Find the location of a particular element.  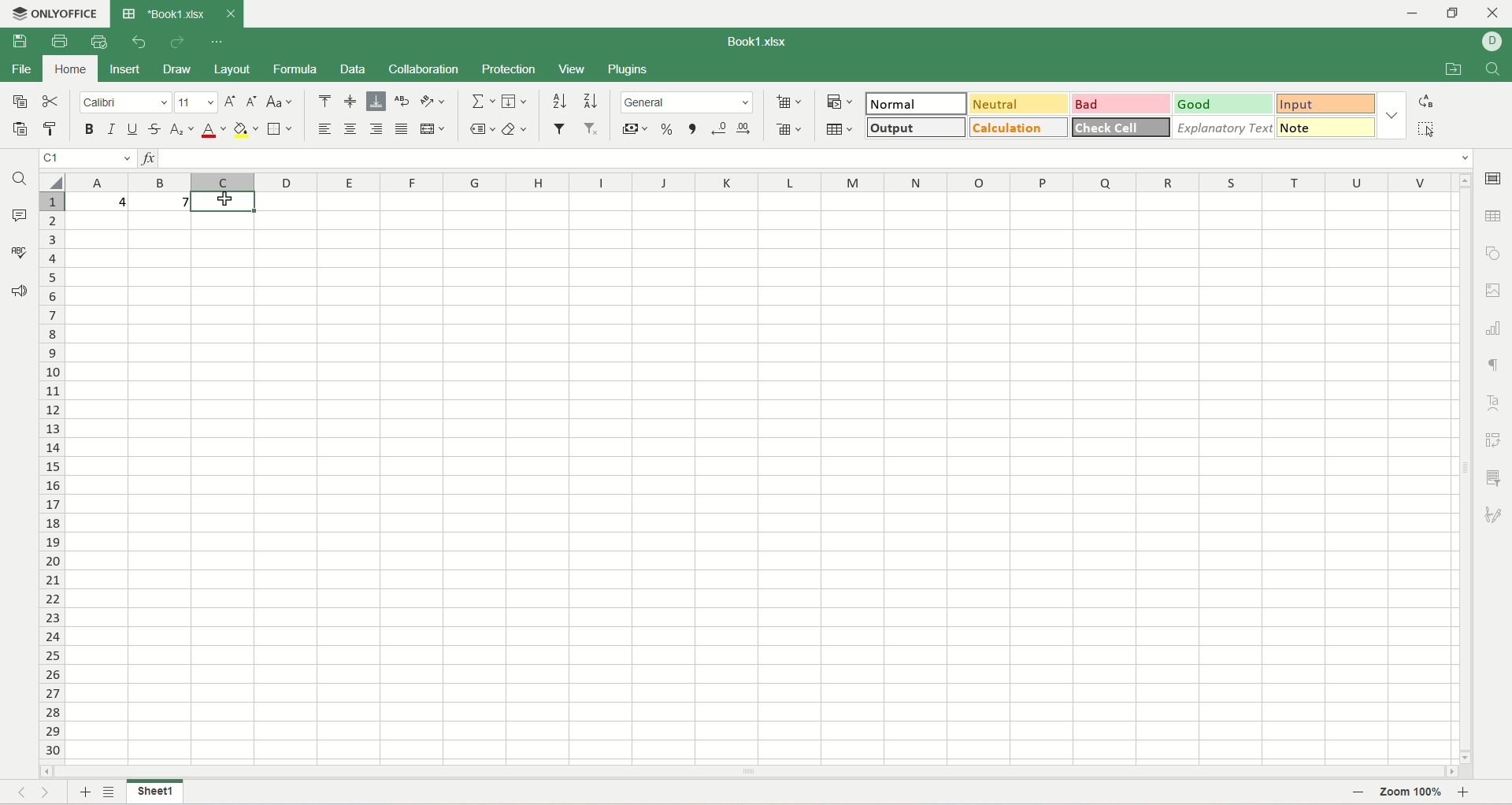

input line is located at coordinates (817, 159).